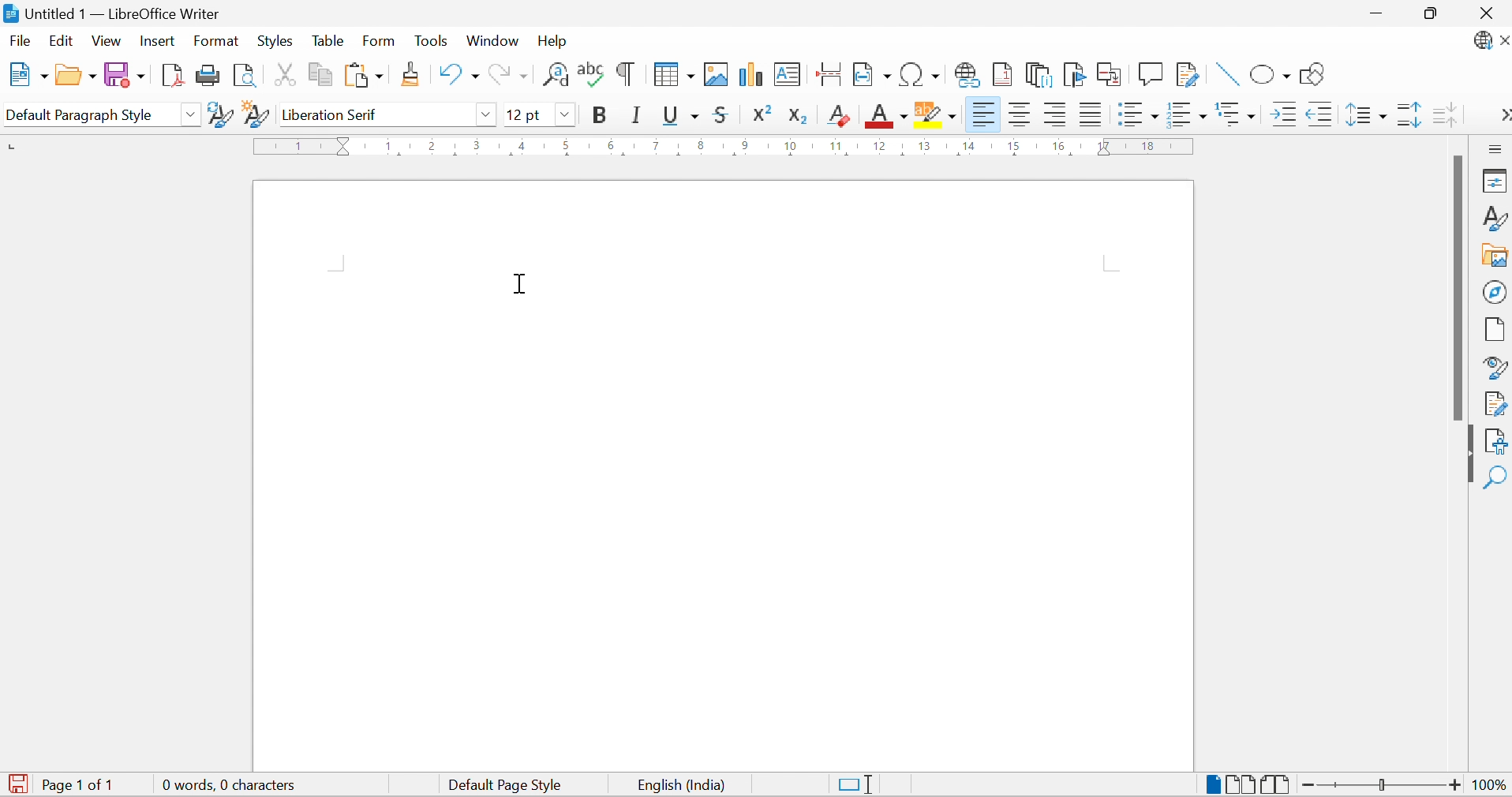 This screenshot has height=797, width=1512. Describe the element at coordinates (1497, 440) in the screenshot. I see `Accessibility Check` at that location.